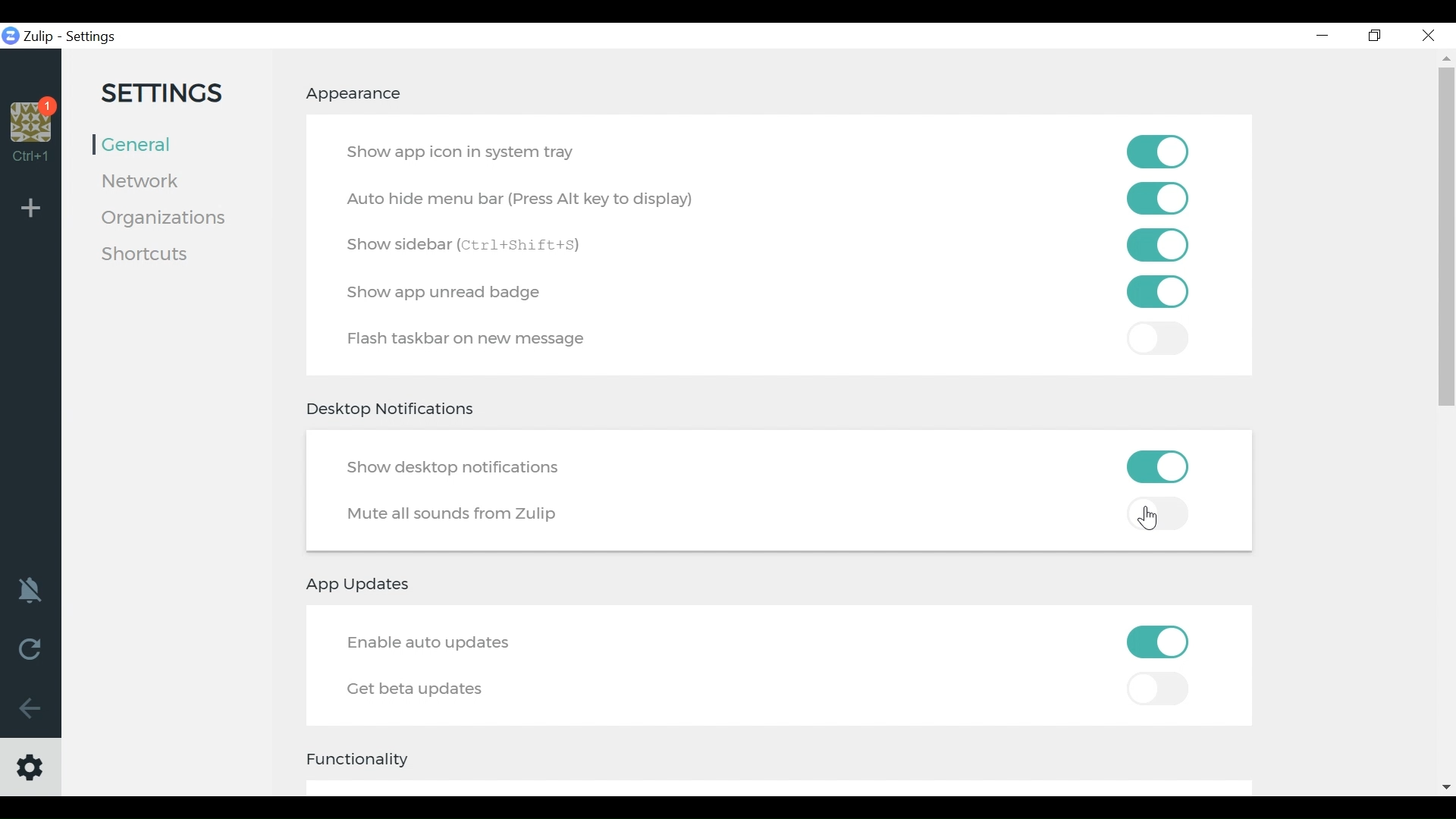 This screenshot has height=819, width=1456. I want to click on minimize, so click(1320, 35).